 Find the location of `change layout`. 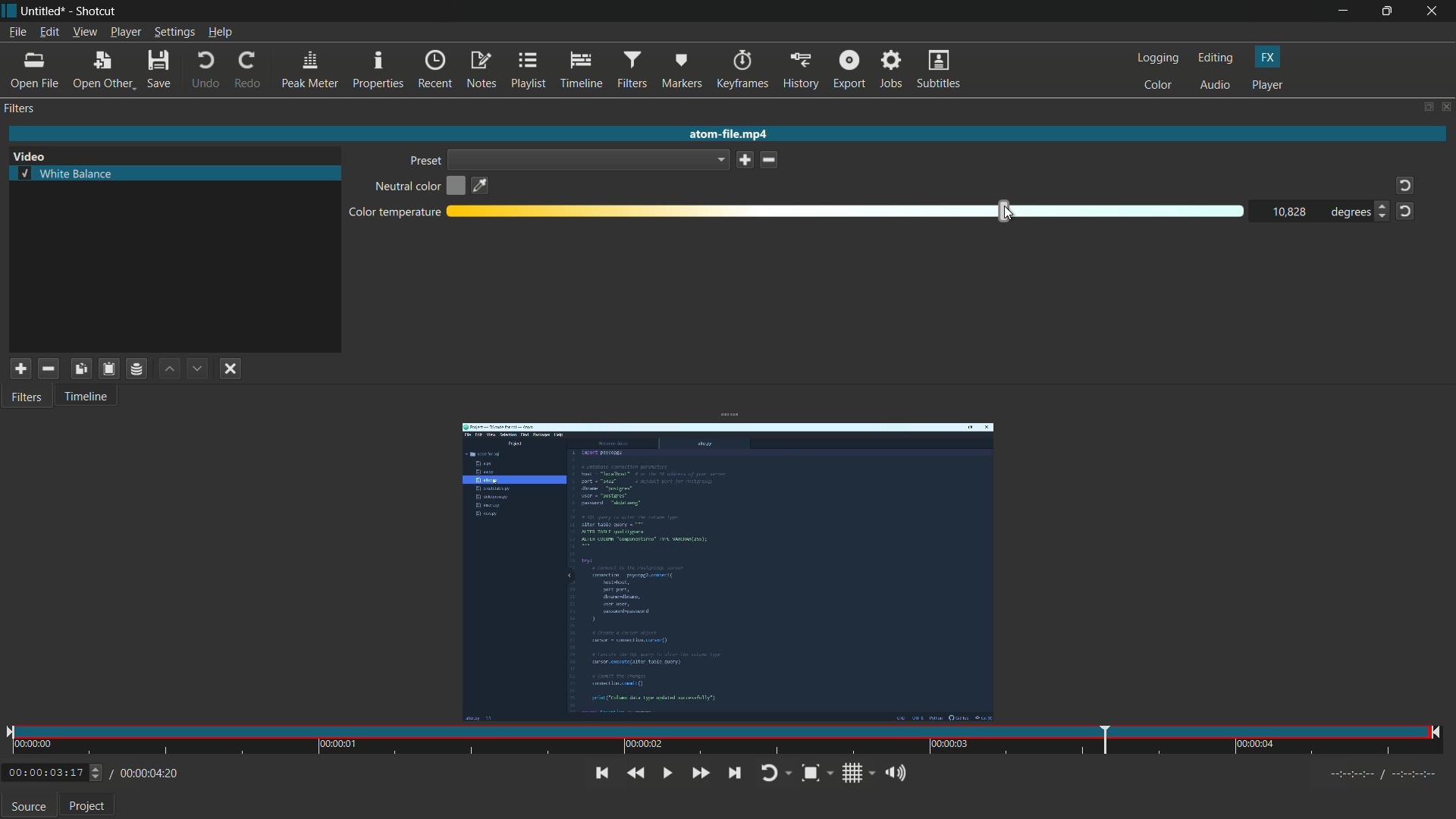

change layout is located at coordinates (1427, 108).